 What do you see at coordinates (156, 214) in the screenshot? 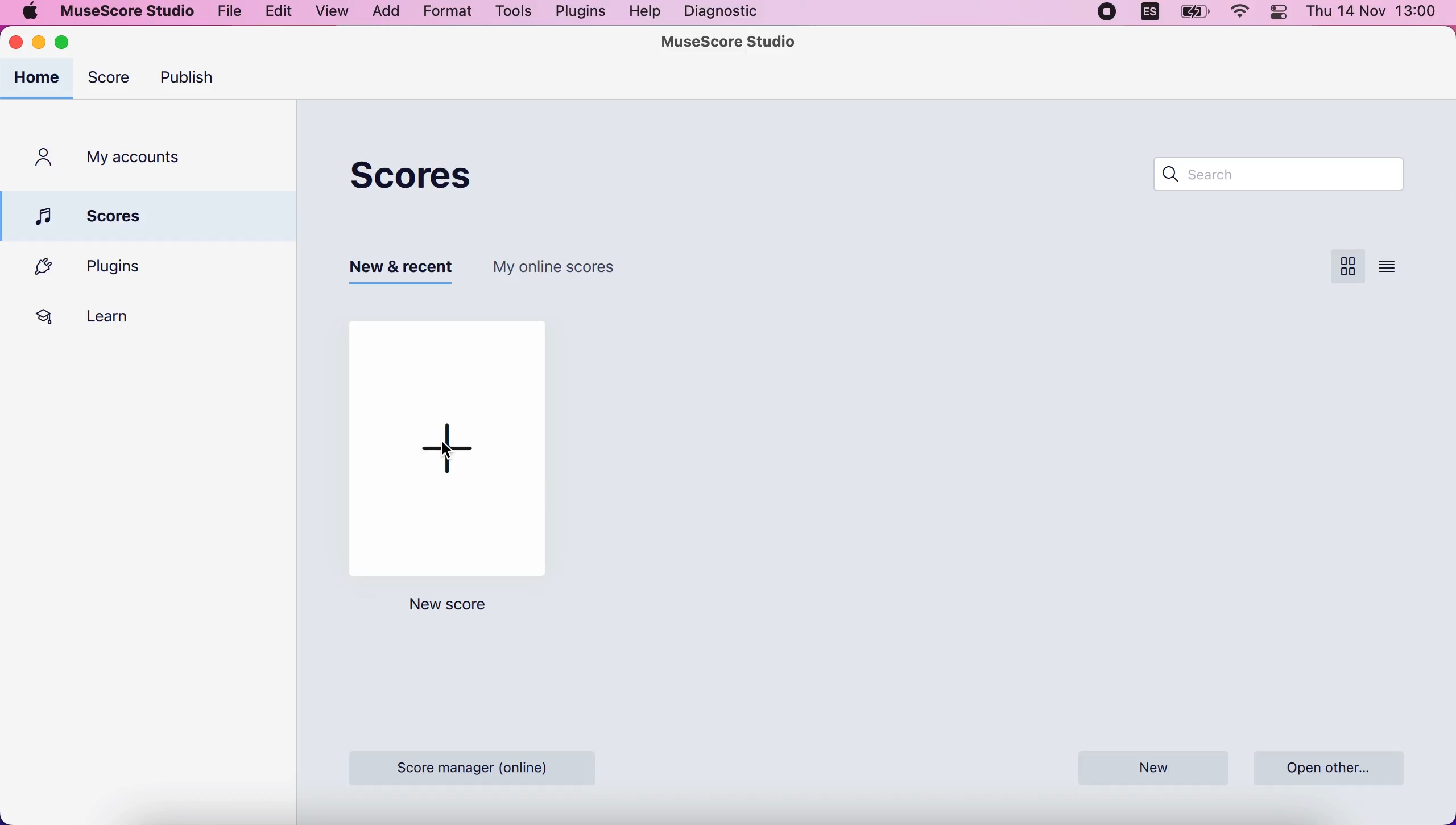
I see `scores` at bounding box center [156, 214].